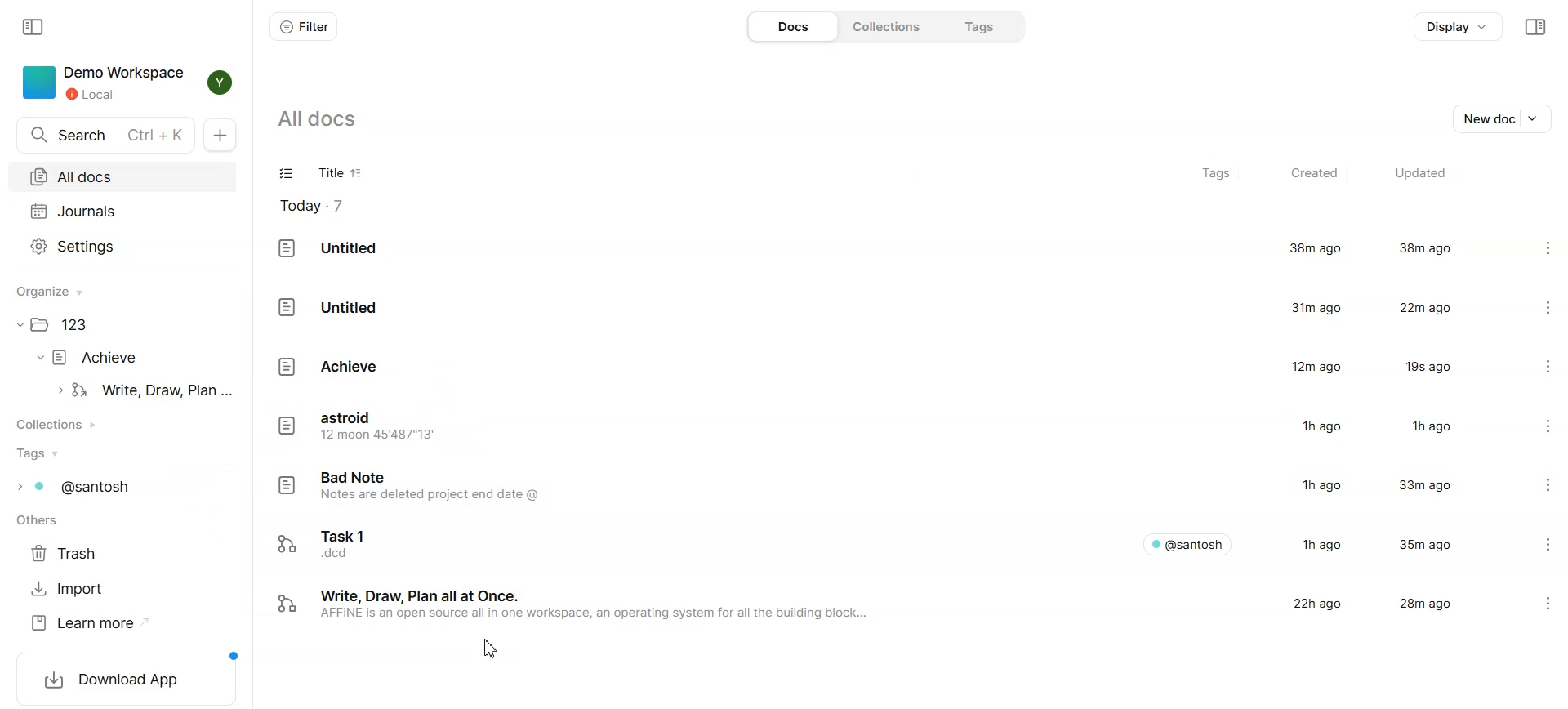 The height and width of the screenshot is (709, 1568). I want to click on Tags, so click(1218, 175).